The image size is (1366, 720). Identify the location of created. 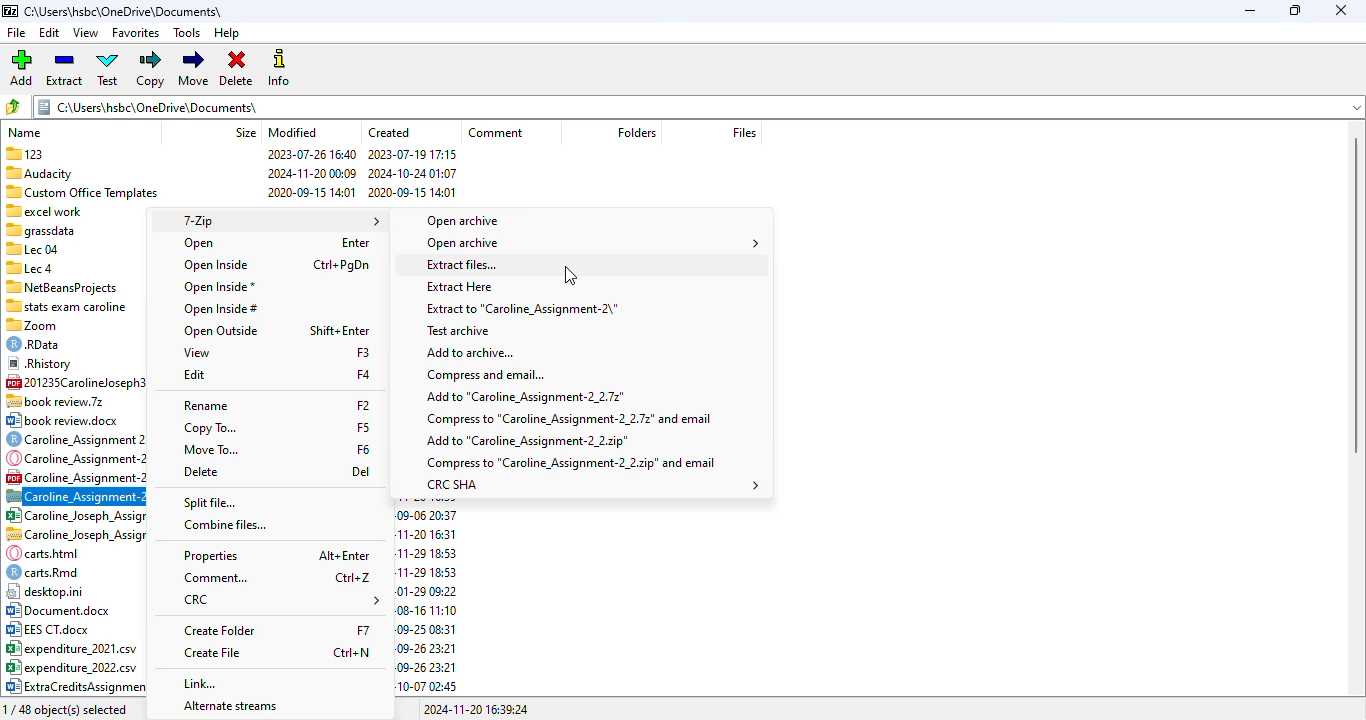
(390, 132).